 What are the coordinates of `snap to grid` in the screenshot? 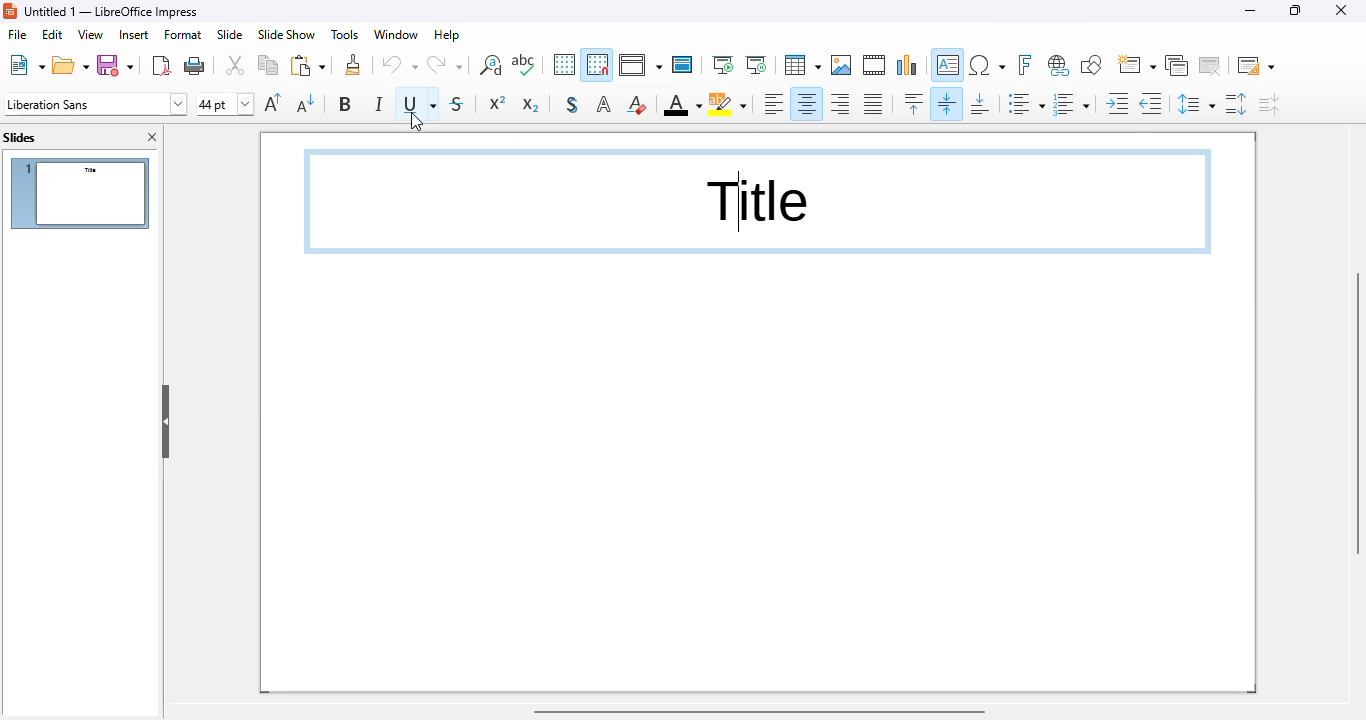 It's located at (598, 64).